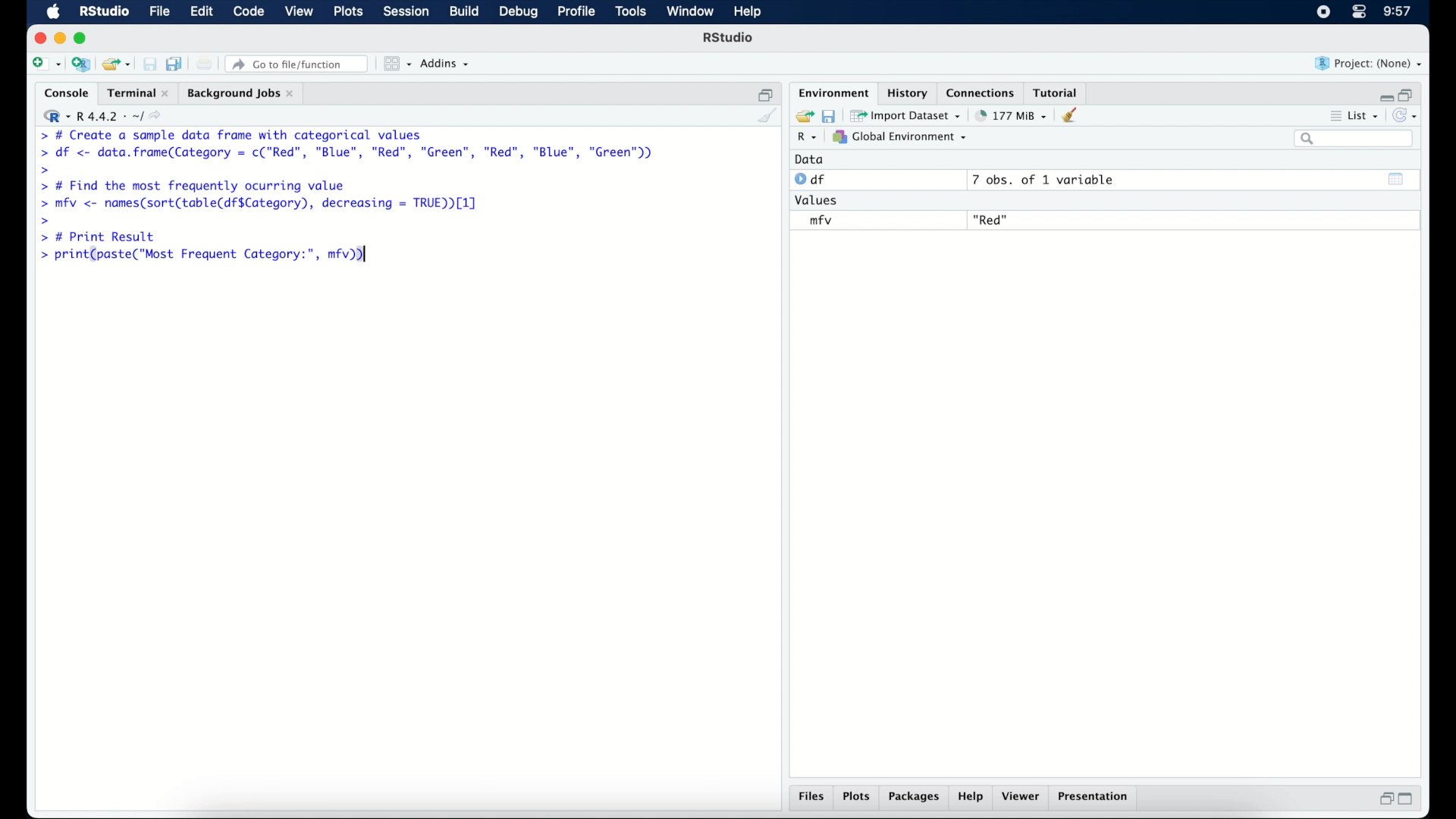 The image size is (1456, 819). Describe the element at coordinates (915, 799) in the screenshot. I see `packages` at that location.